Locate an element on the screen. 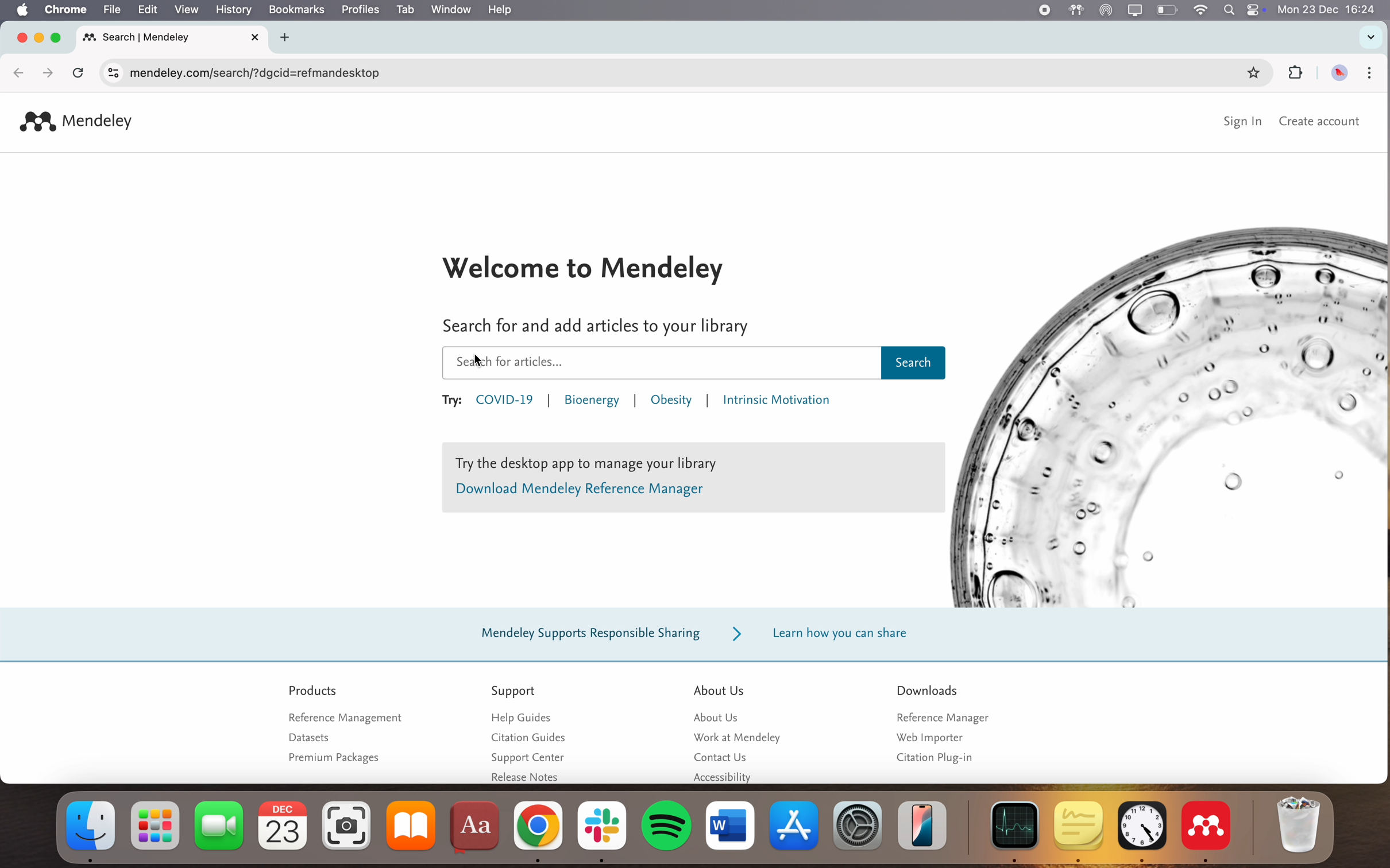  new tab is located at coordinates (291, 36).